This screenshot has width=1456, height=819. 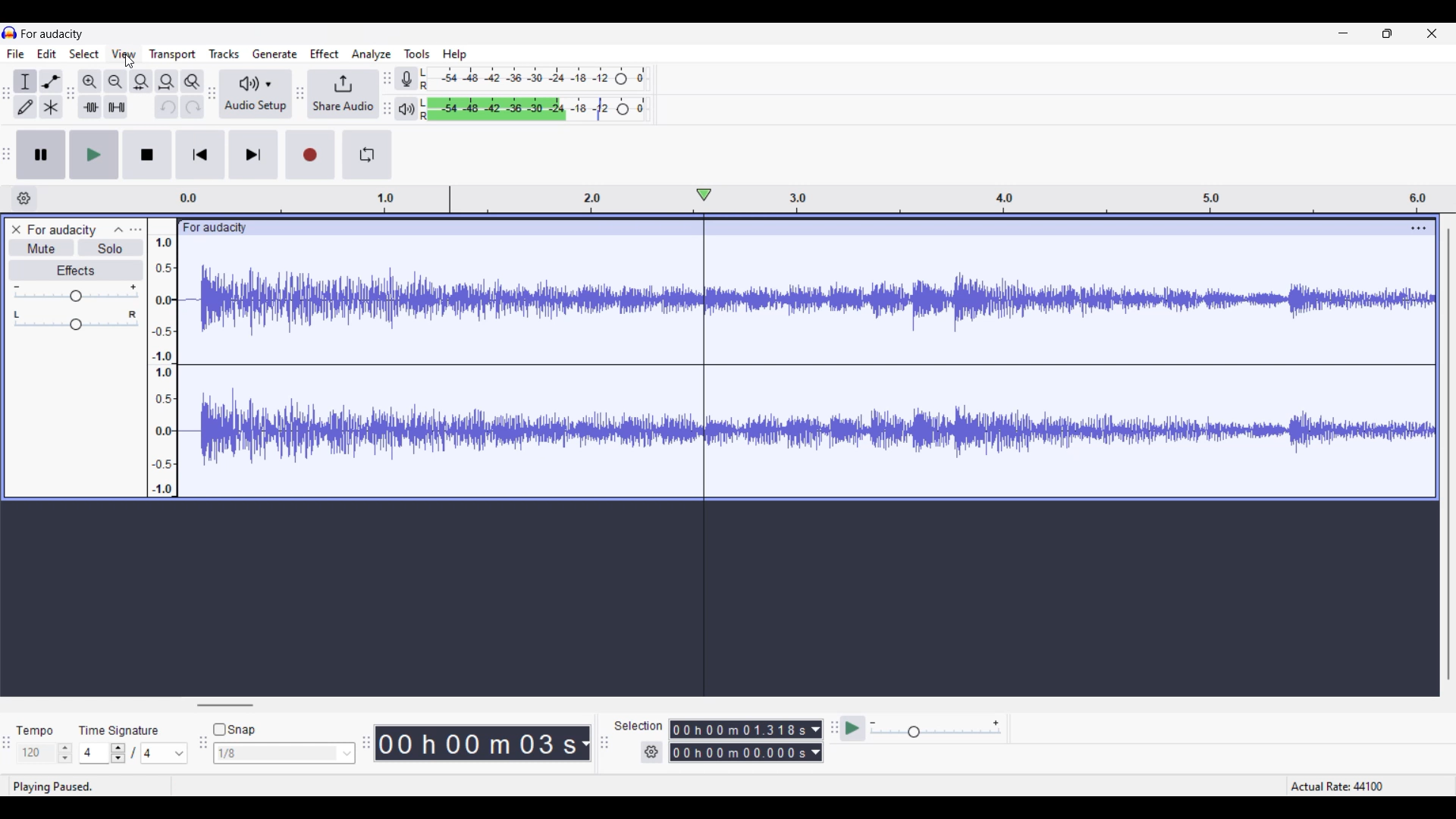 I want to click on Current track, so click(x=792, y=359).